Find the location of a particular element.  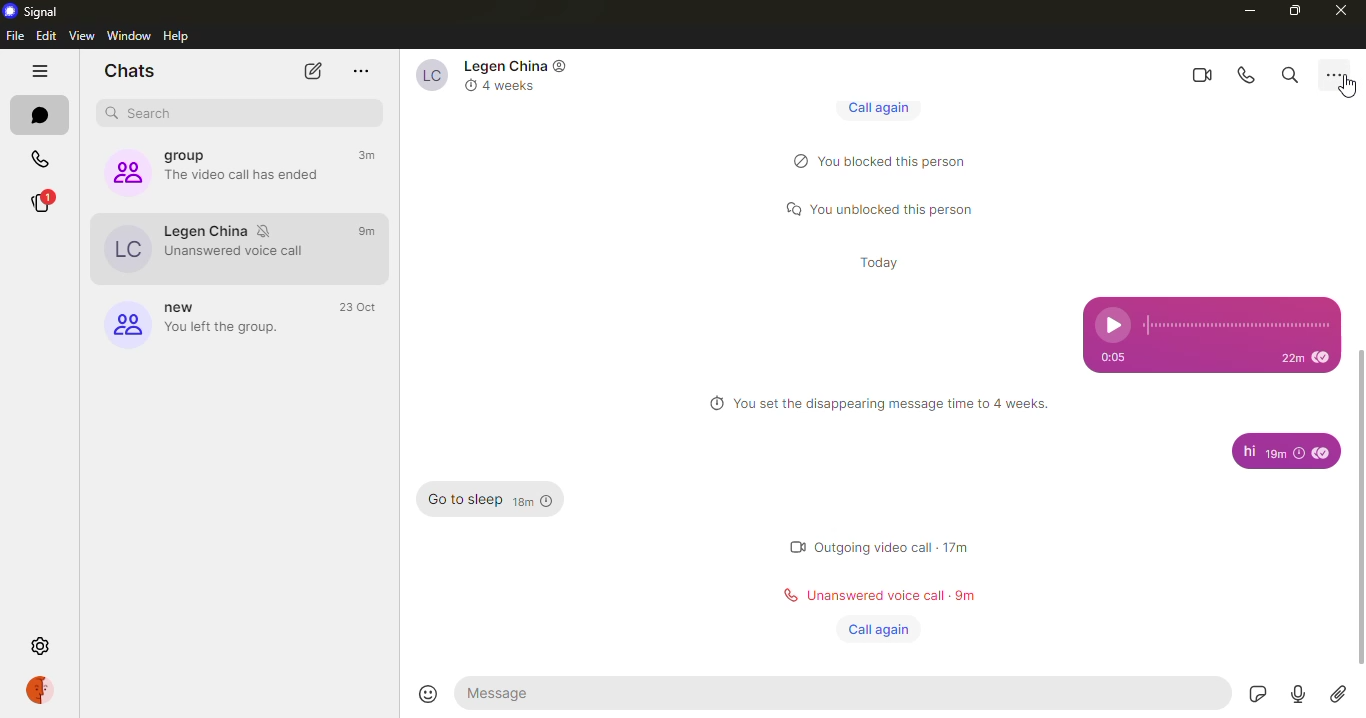

time is located at coordinates (354, 301).